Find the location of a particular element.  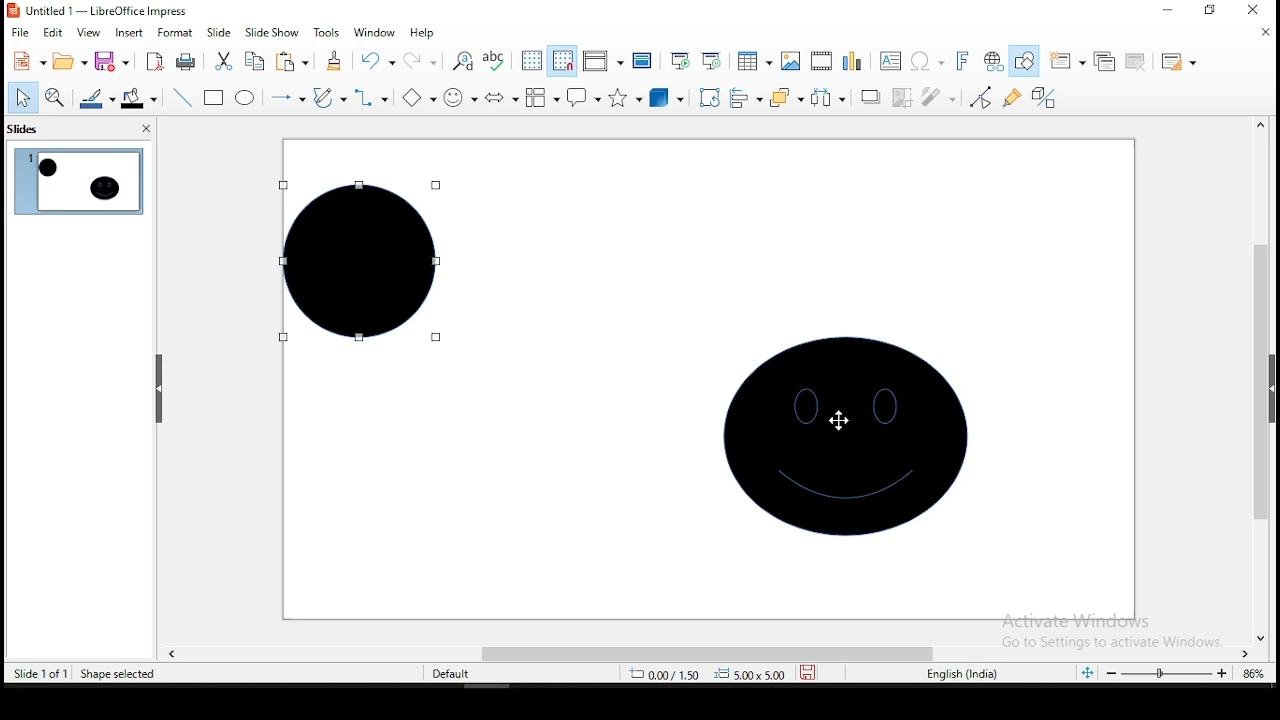

lines and arrows is located at coordinates (286, 97).